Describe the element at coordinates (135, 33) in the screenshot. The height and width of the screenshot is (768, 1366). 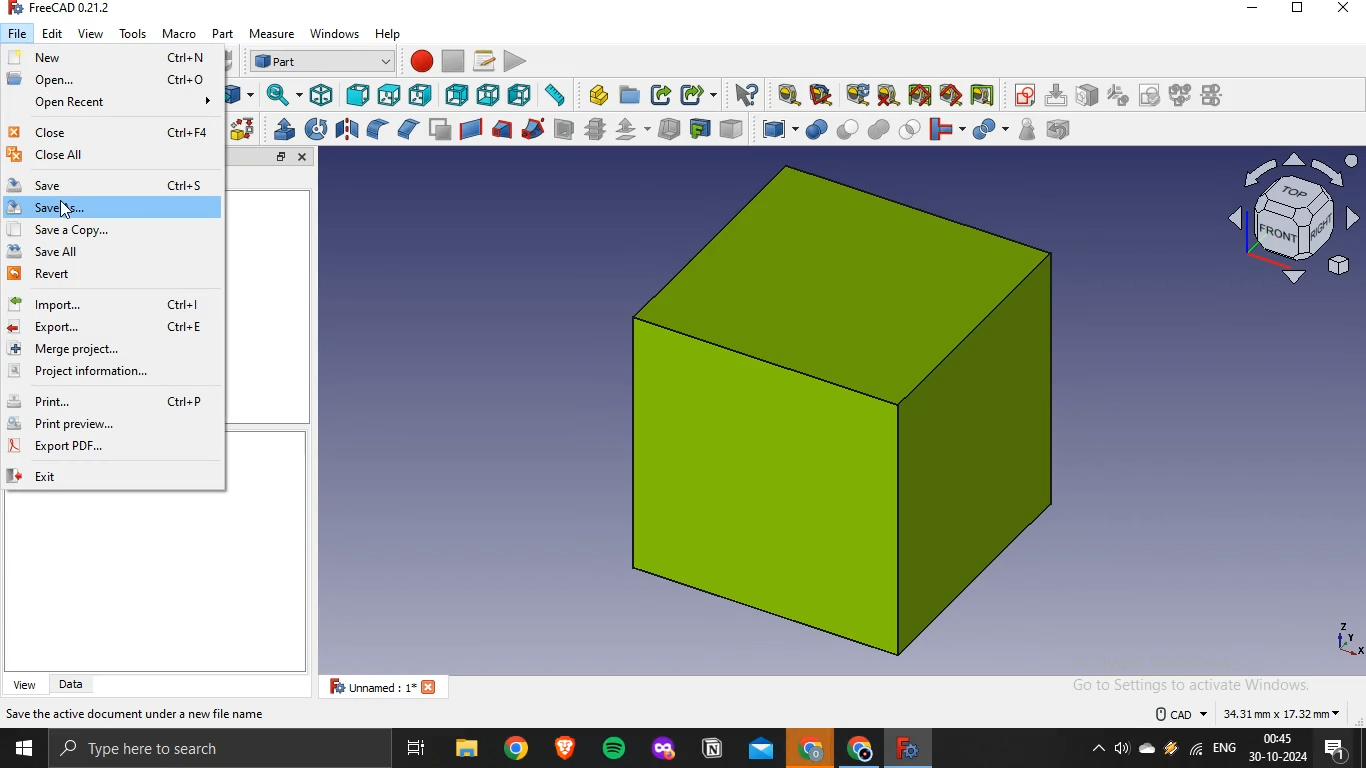
I see `tools` at that location.